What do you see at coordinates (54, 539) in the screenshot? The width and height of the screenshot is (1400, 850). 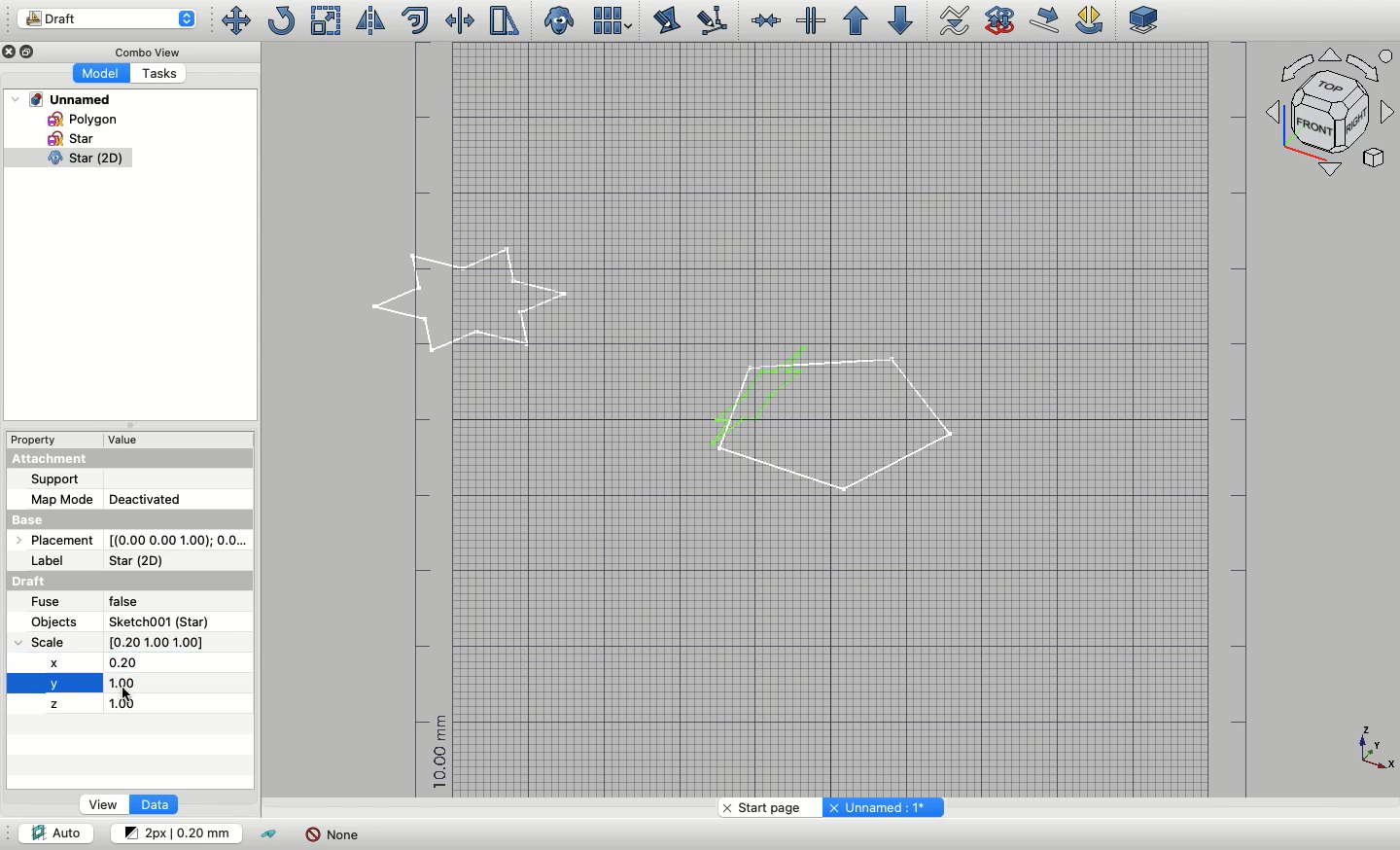 I see `Placement` at bounding box center [54, 539].